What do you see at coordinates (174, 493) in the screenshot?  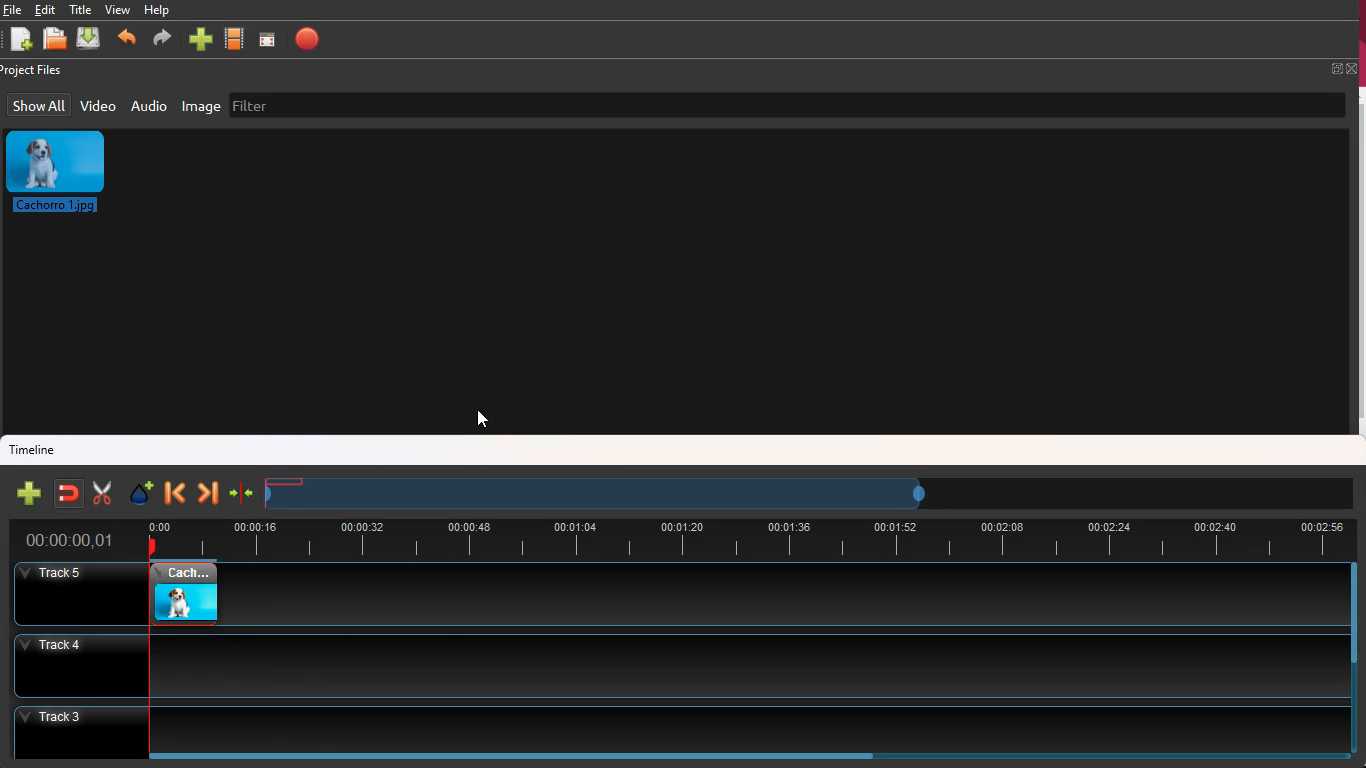 I see `backward` at bounding box center [174, 493].